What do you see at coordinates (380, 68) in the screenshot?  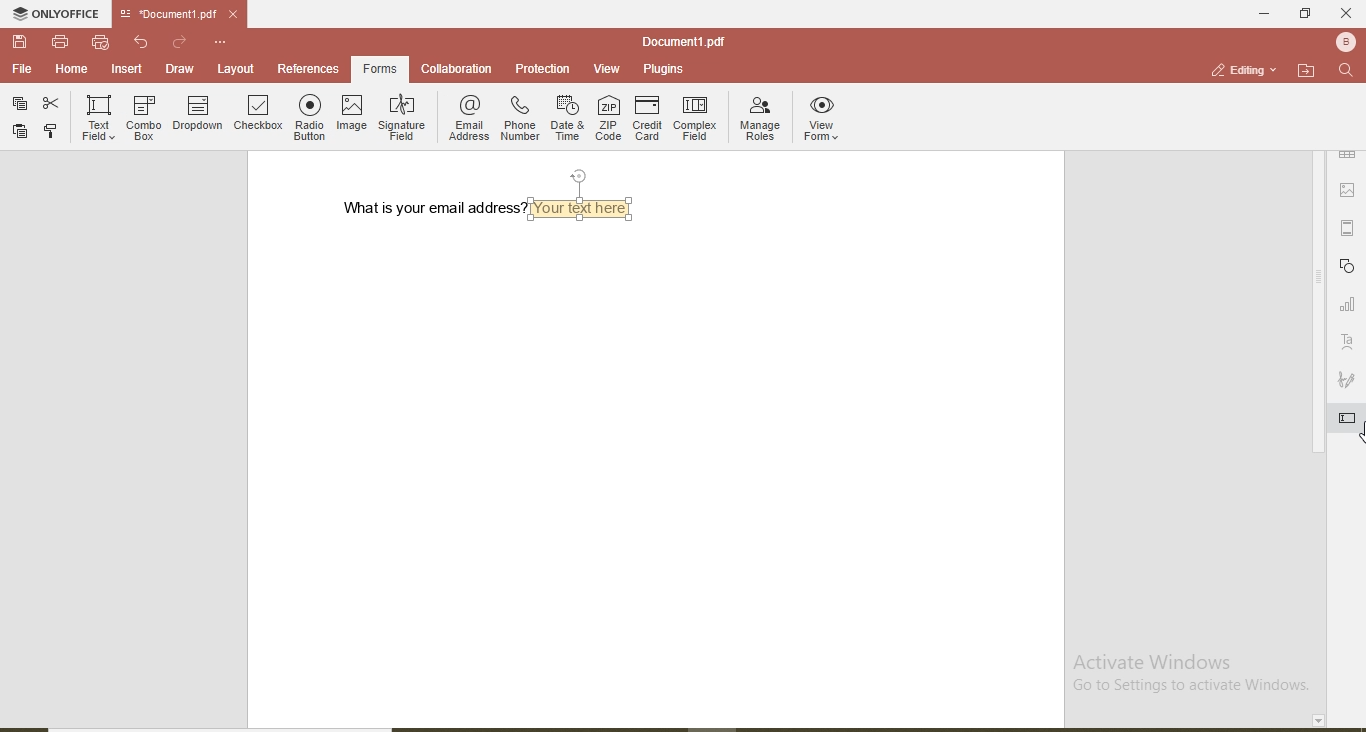 I see `forms` at bounding box center [380, 68].